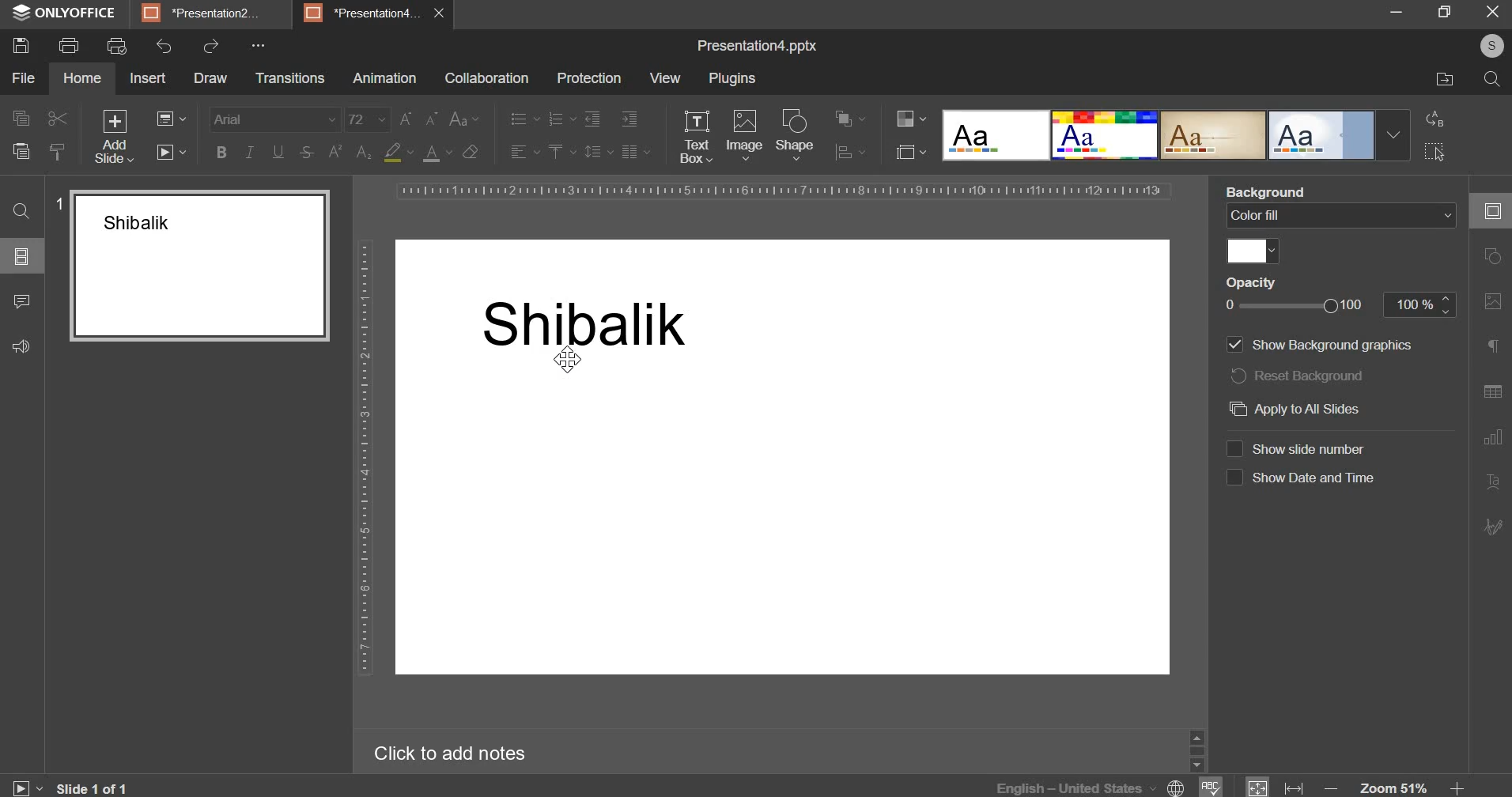 Image resolution: width=1512 pixels, height=797 pixels. What do you see at coordinates (462, 752) in the screenshot?
I see `Click to add notes` at bounding box center [462, 752].